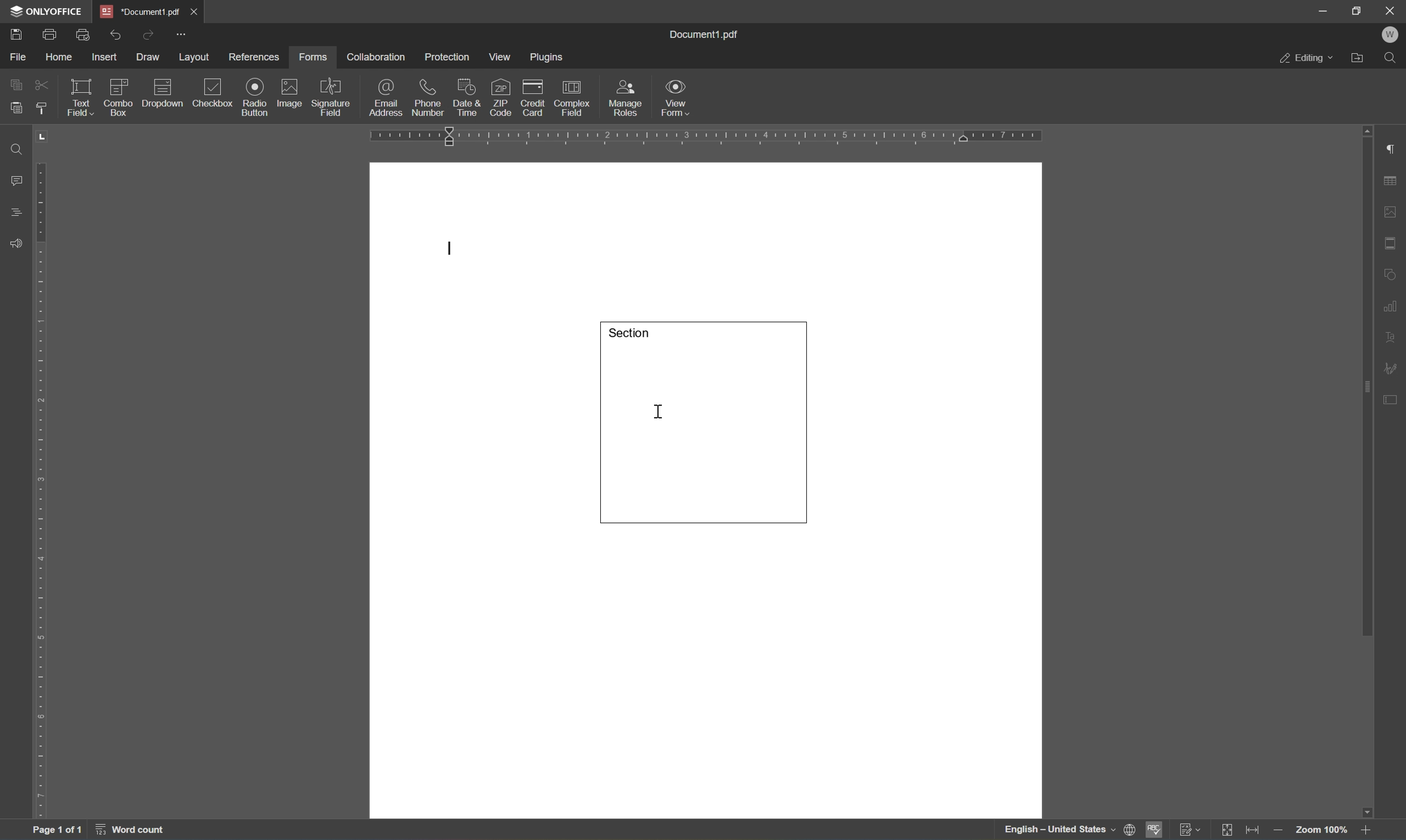 This screenshot has height=840, width=1406. What do you see at coordinates (1392, 338) in the screenshot?
I see `text art settings` at bounding box center [1392, 338].